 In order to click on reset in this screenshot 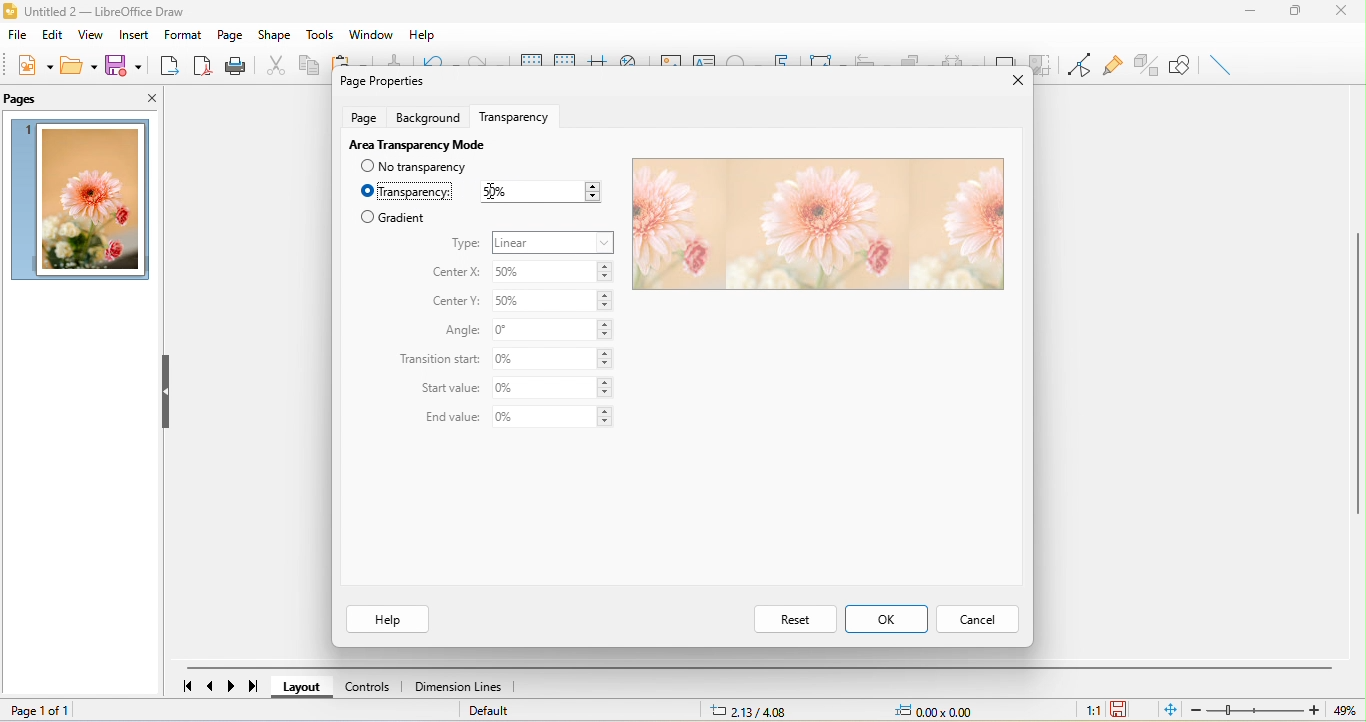, I will do `click(794, 618)`.